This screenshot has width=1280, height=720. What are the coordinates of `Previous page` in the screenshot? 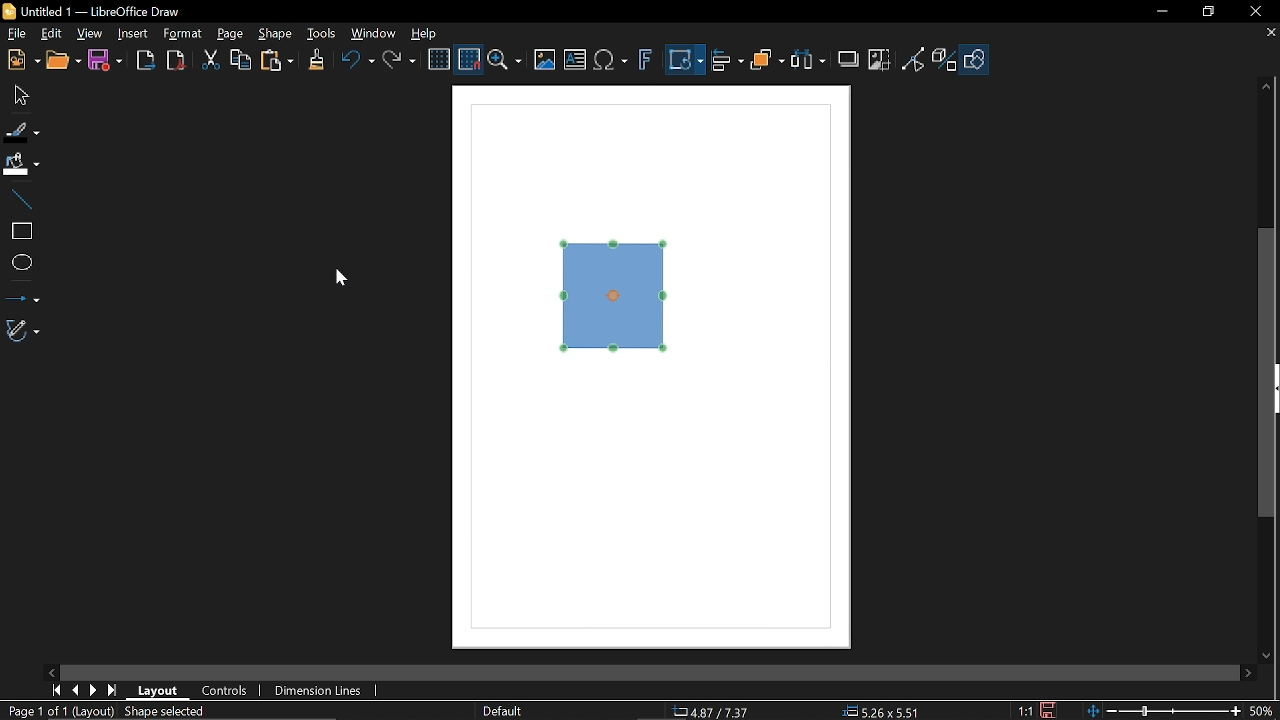 It's located at (75, 689).